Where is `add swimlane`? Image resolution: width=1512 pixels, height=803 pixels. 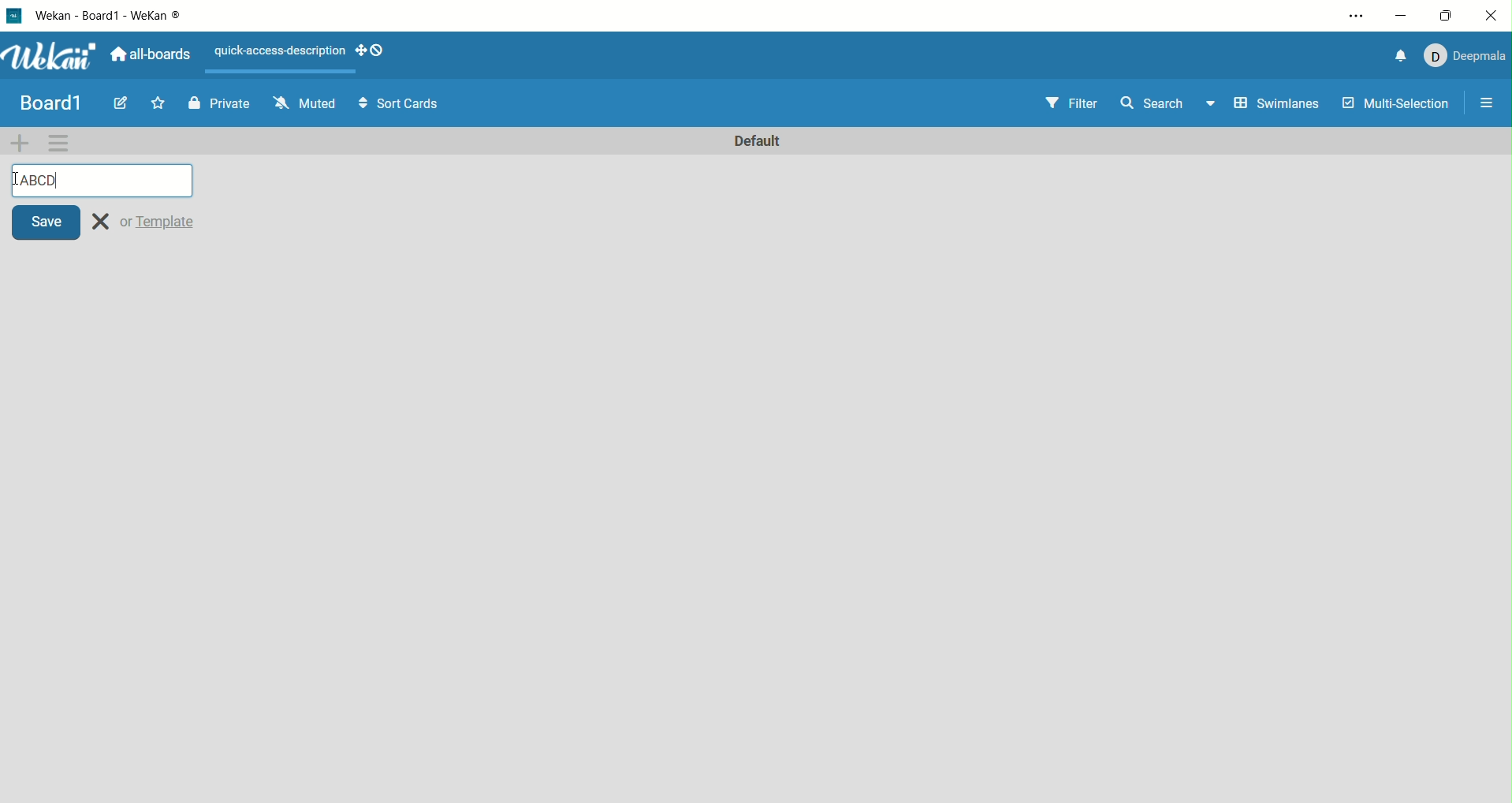
add swimlane is located at coordinates (20, 142).